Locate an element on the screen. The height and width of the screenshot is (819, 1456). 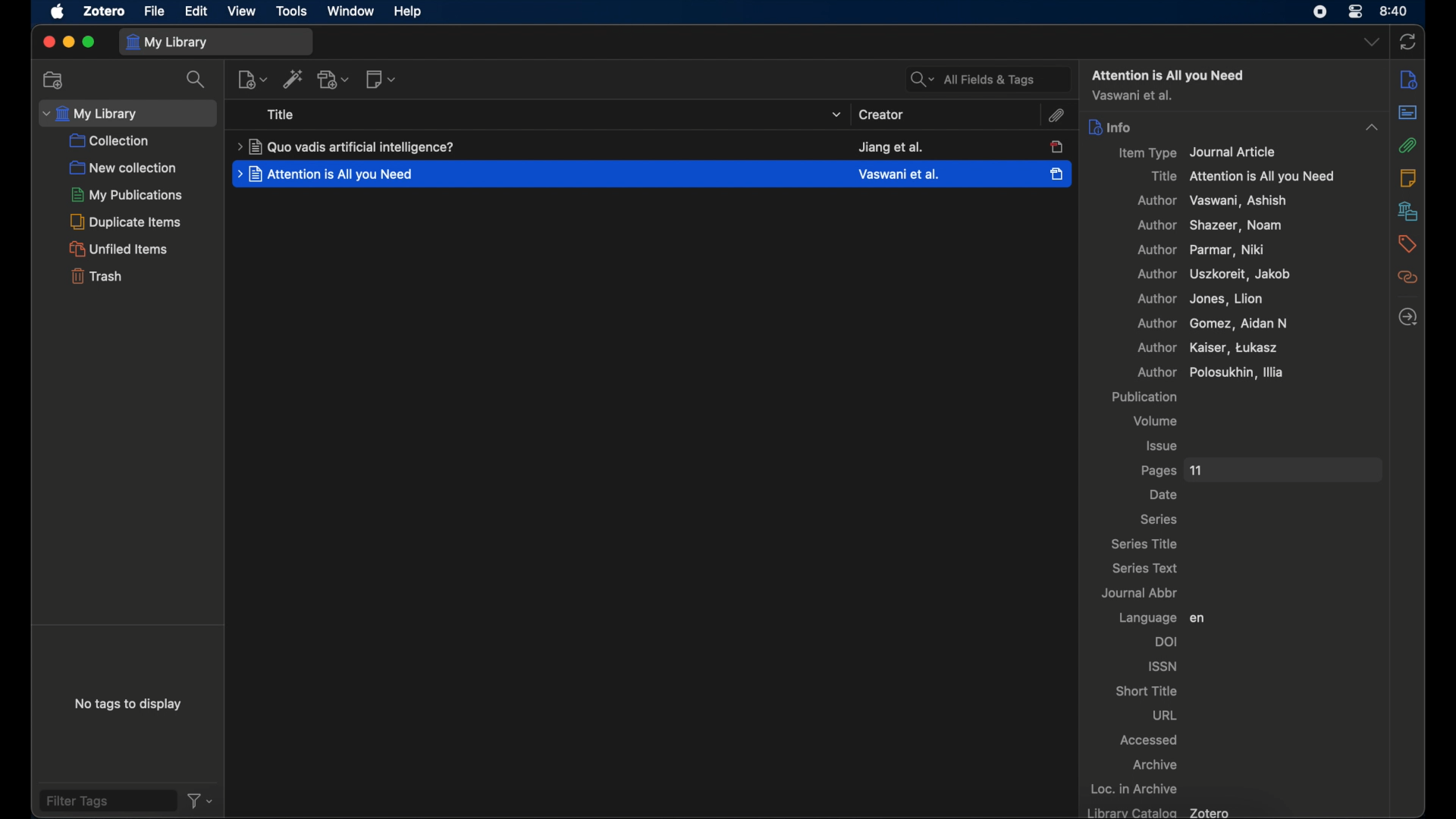
publication is located at coordinates (1144, 397).